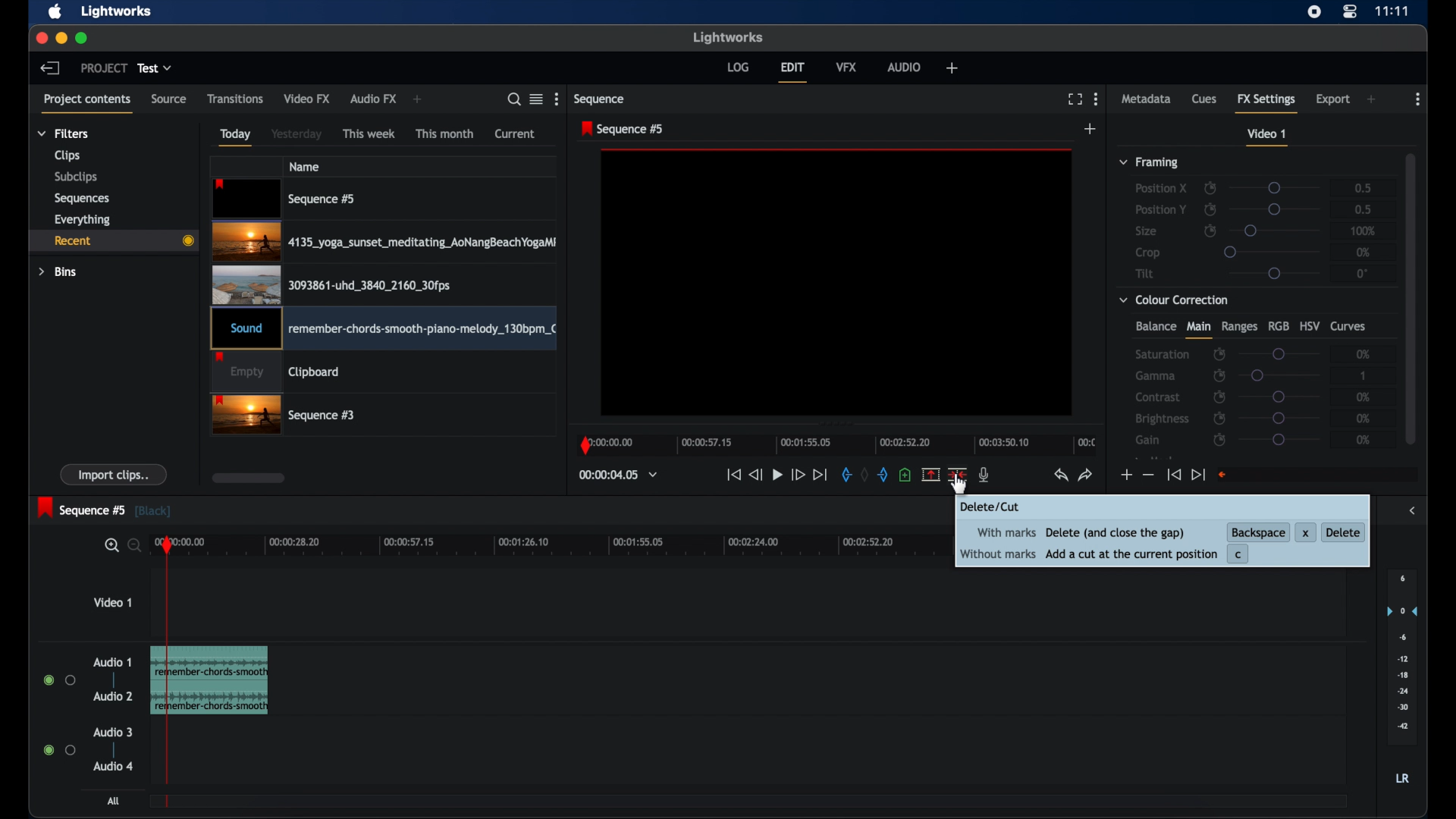  What do you see at coordinates (276, 373) in the screenshot?
I see `video clip` at bounding box center [276, 373].